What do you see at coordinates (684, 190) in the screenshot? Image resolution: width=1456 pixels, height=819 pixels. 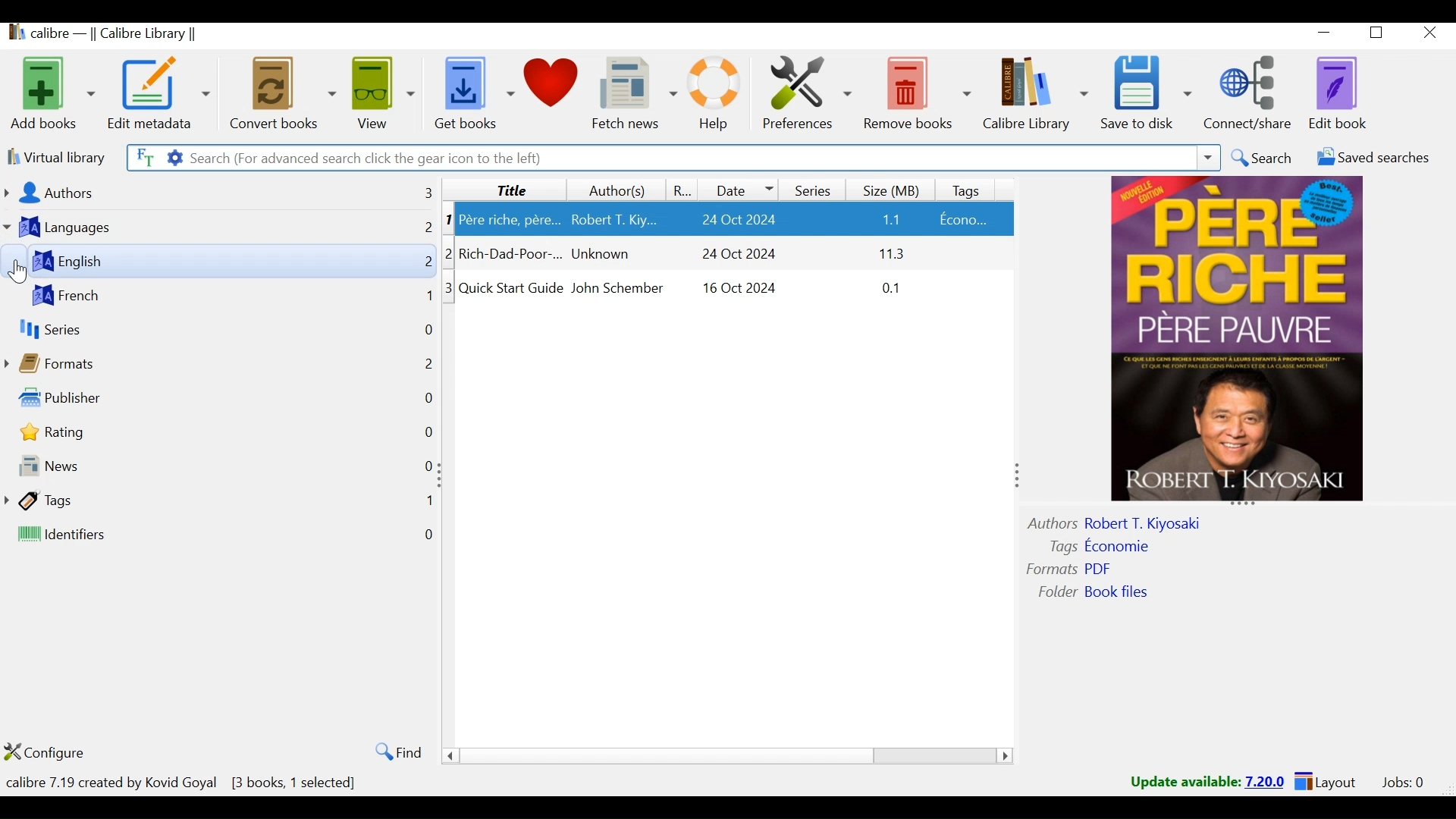 I see `Rating` at bounding box center [684, 190].